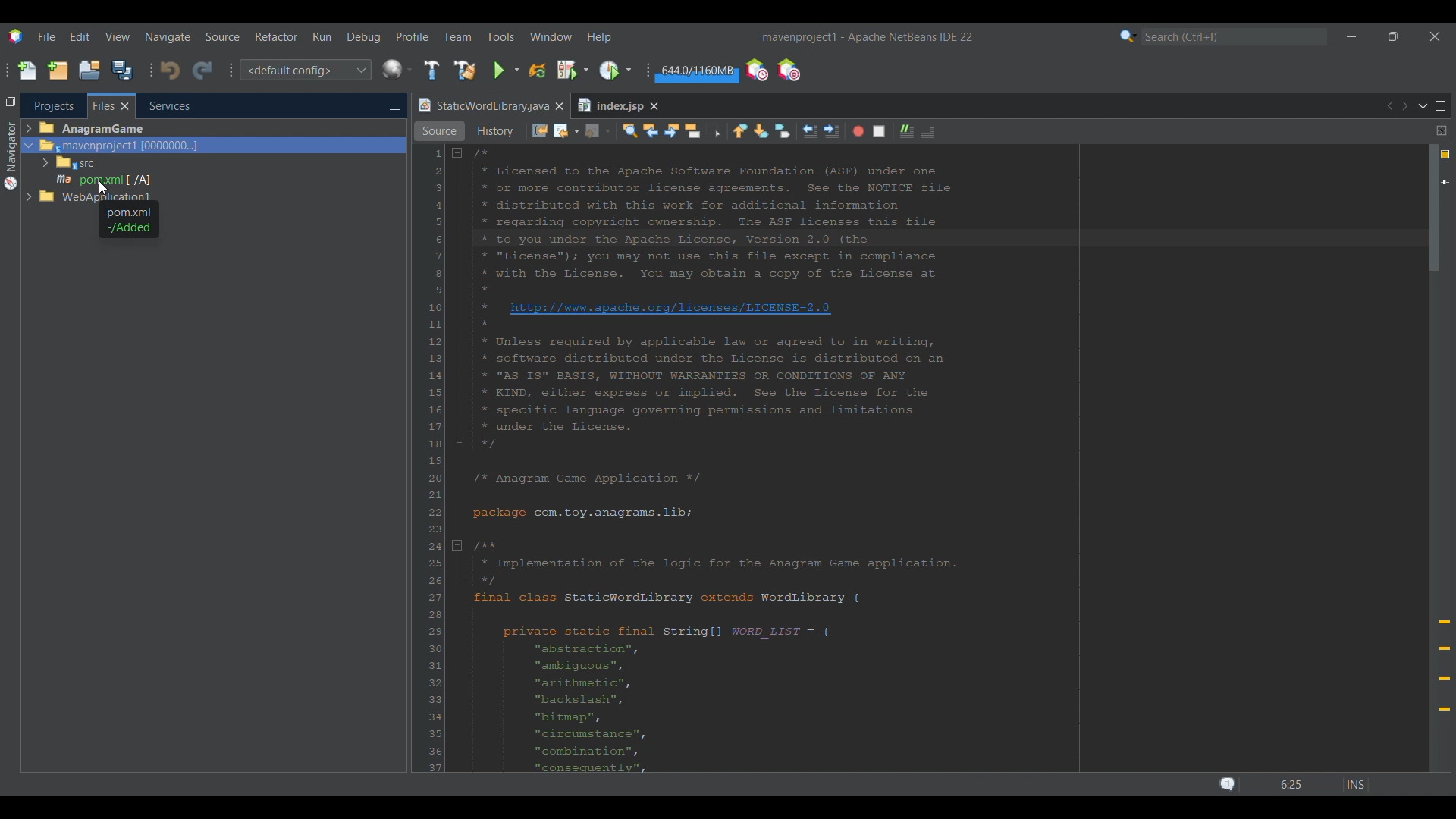 The height and width of the screenshot is (819, 1456). Describe the element at coordinates (305, 70) in the screenshot. I see `Configuration options` at that location.